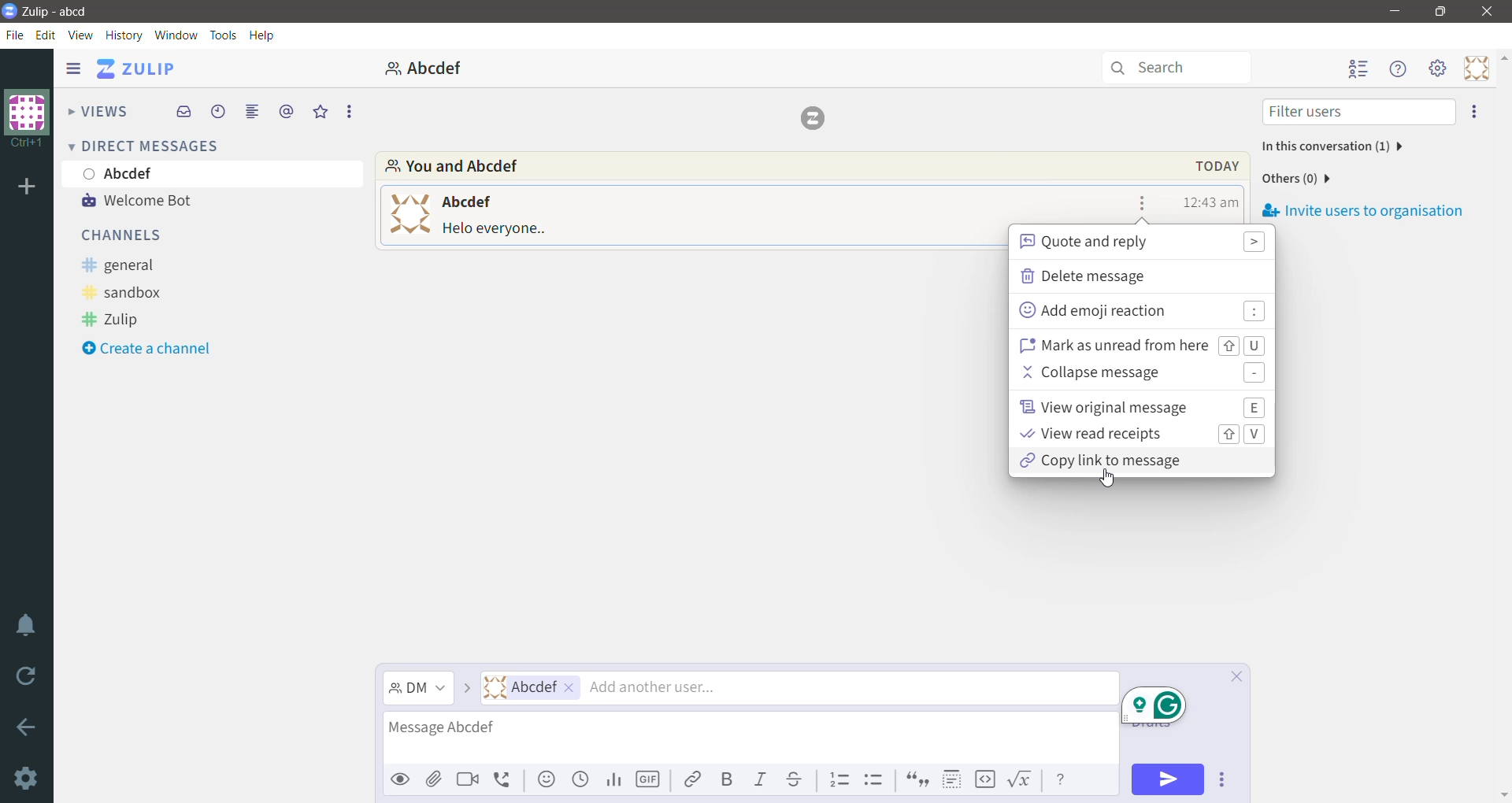  What do you see at coordinates (9, 13) in the screenshot?
I see `Application Logo` at bounding box center [9, 13].